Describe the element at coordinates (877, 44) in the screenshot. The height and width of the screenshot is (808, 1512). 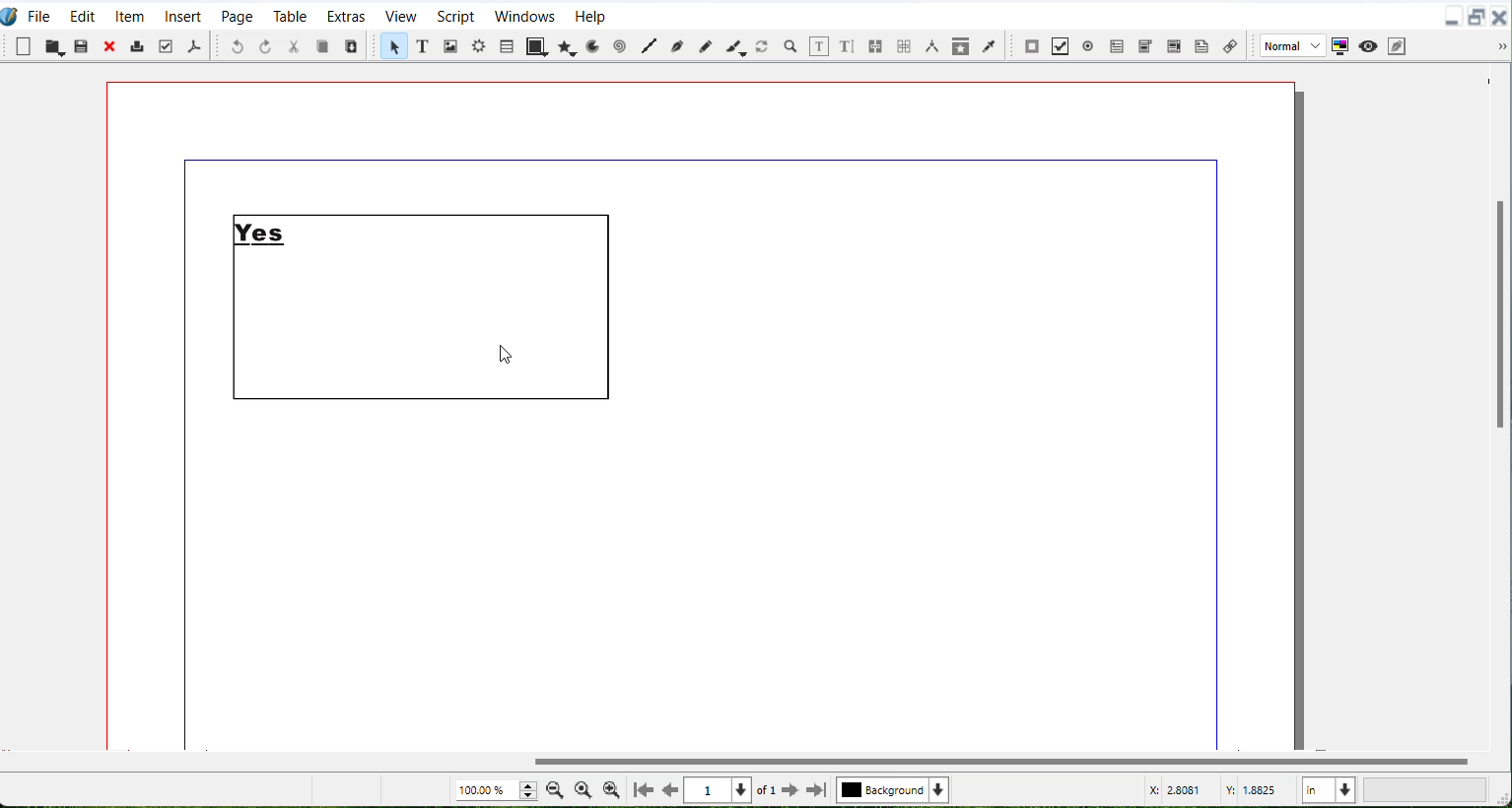
I see `Link Text Frame` at that location.